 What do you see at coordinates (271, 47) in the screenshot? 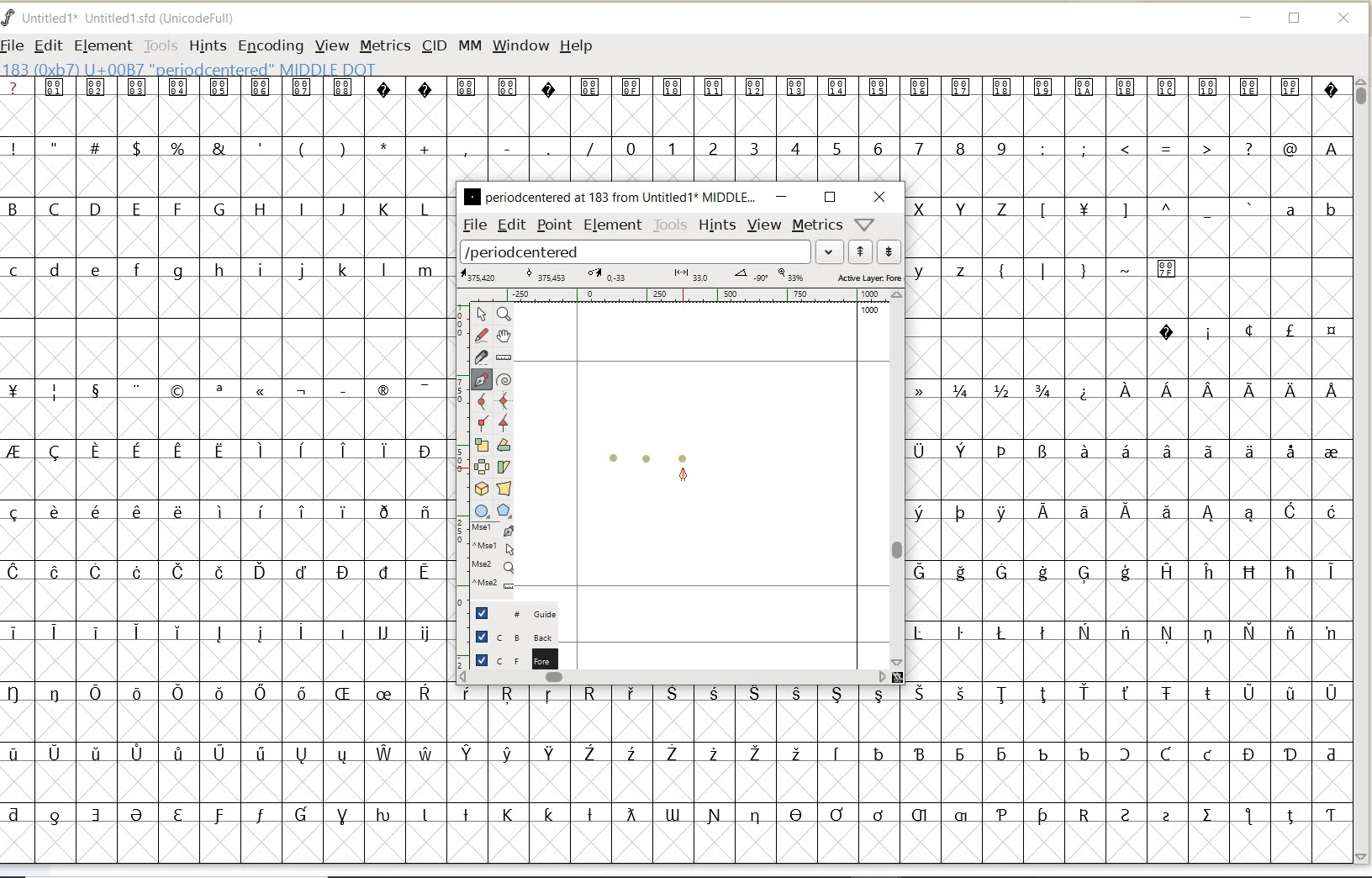
I see `ENCODING` at bounding box center [271, 47].